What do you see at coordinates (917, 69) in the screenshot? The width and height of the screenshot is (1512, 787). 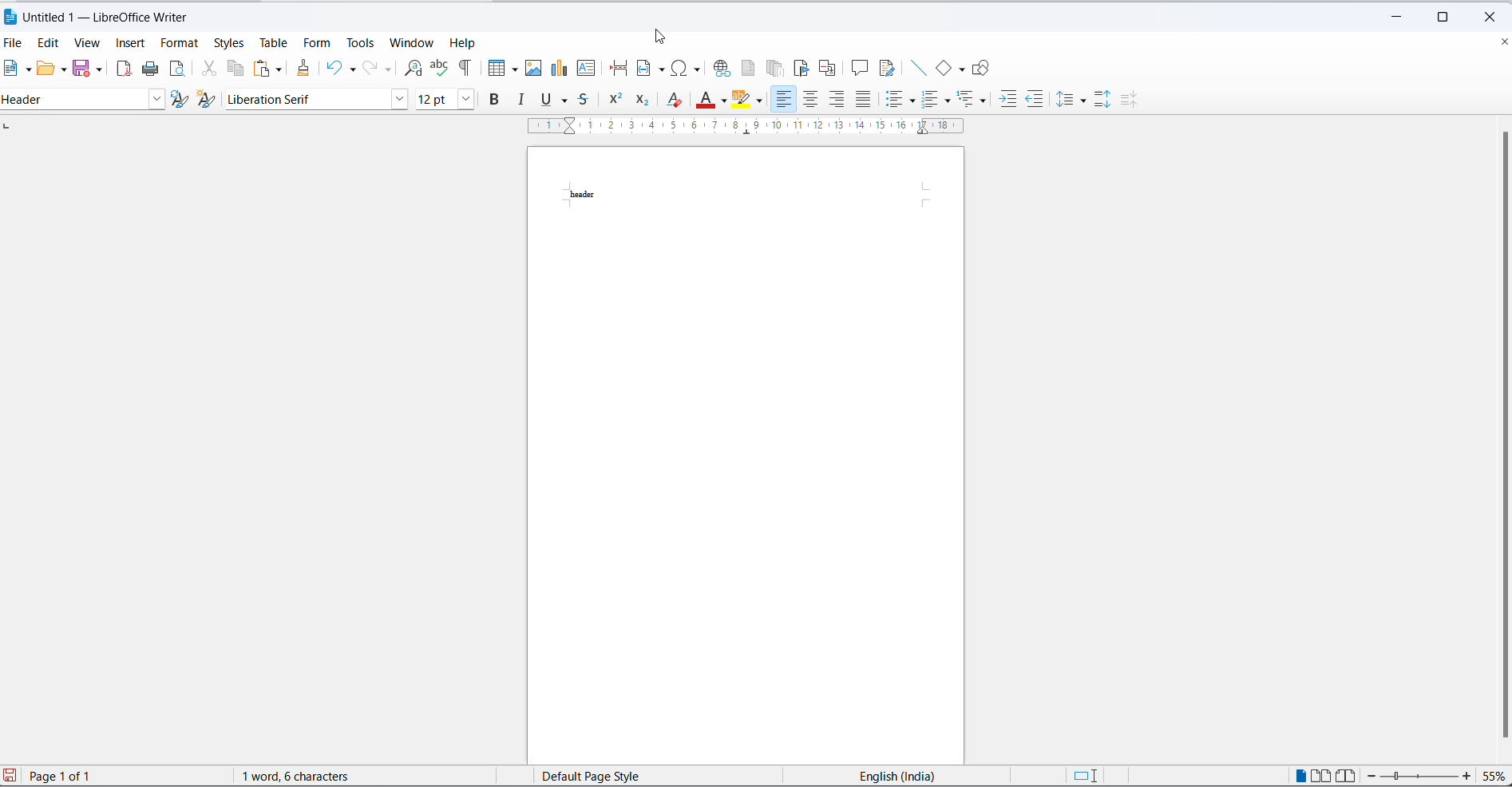 I see `insert line` at bounding box center [917, 69].